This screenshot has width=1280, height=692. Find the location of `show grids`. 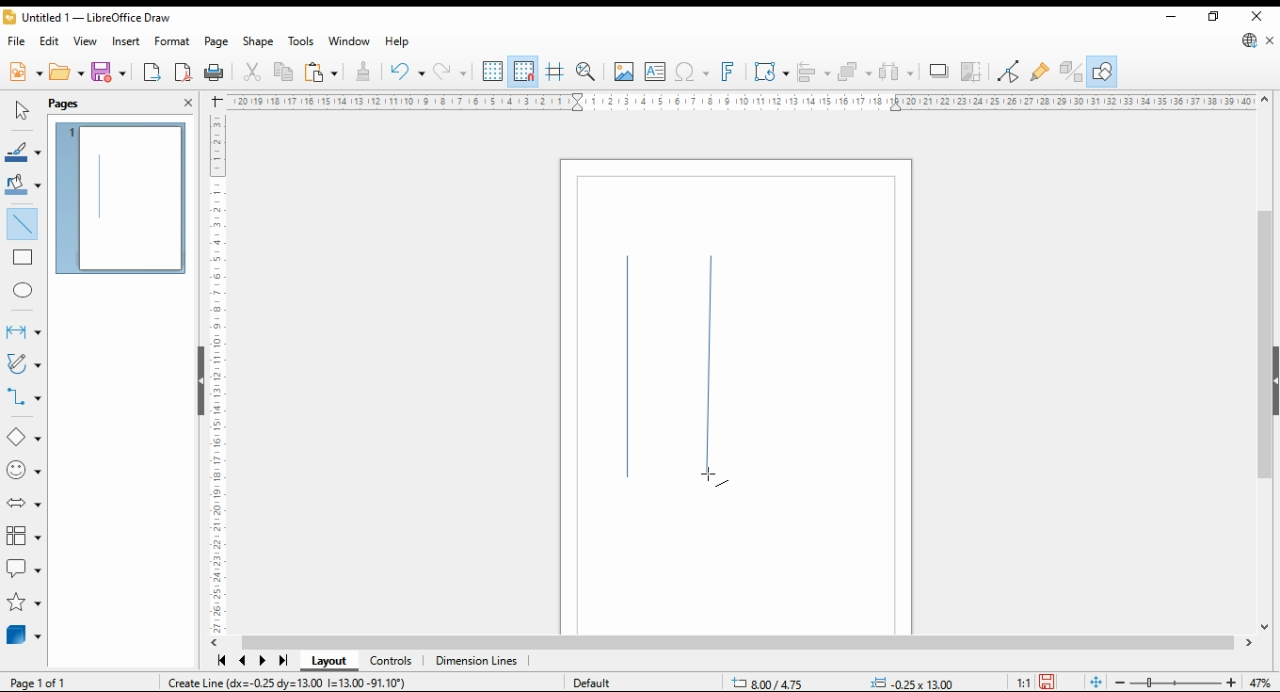

show grids is located at coordinates (492, 72).